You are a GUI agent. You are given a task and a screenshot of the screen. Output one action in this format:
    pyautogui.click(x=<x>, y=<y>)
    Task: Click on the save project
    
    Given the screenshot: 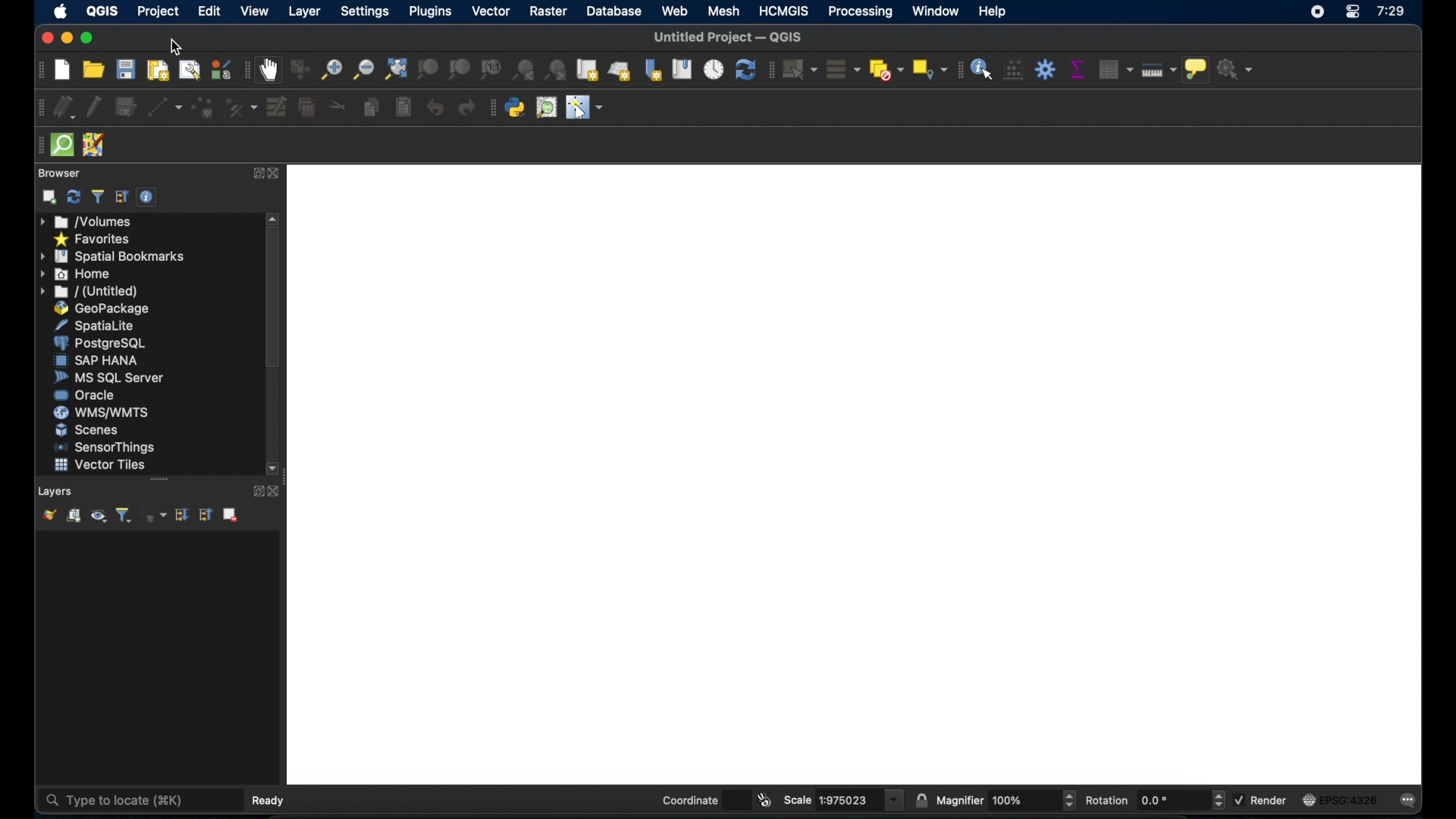 What is the action you would take?
    pyautogui.click(x=125, y=70)
    